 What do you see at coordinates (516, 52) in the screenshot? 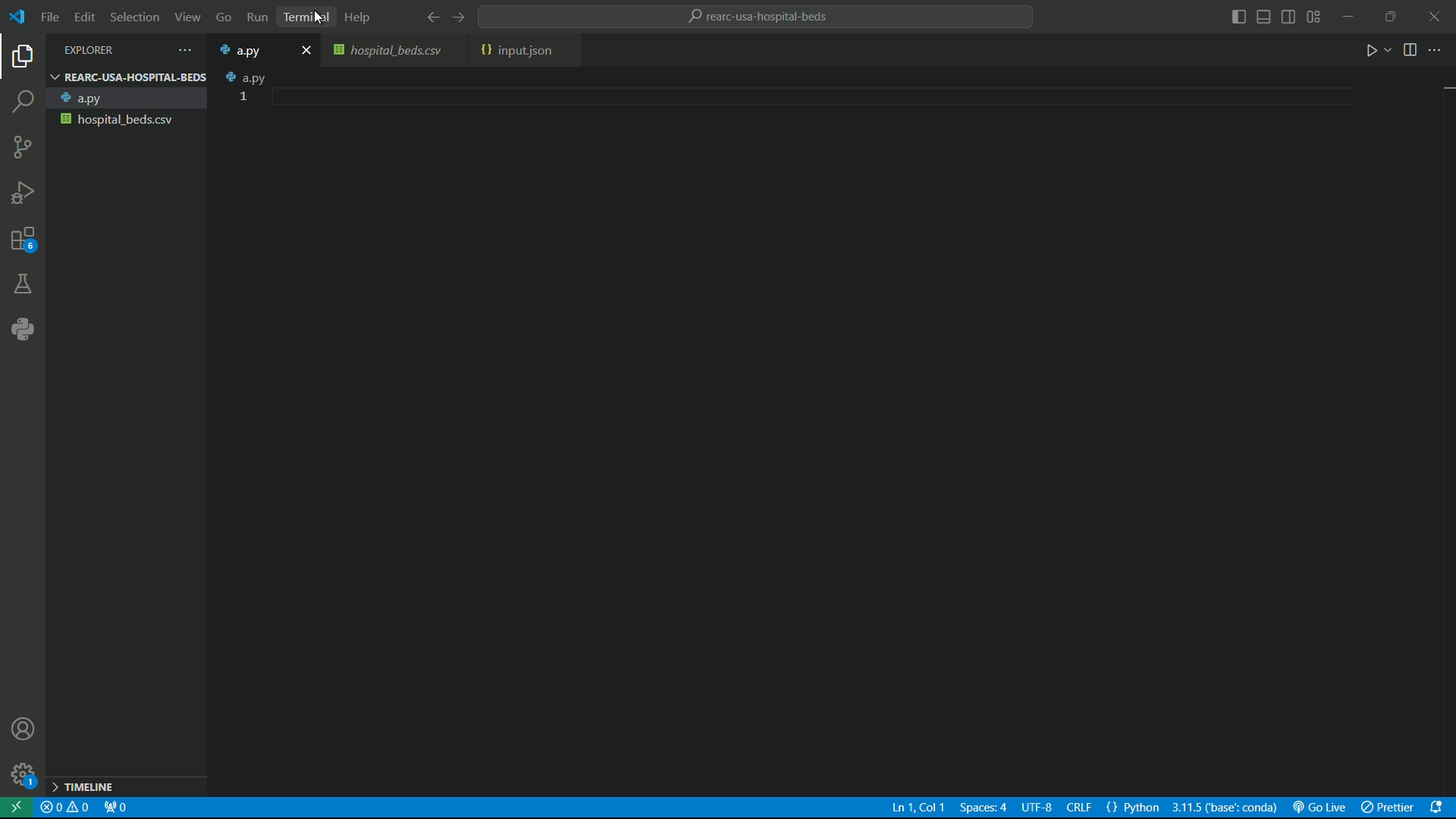
I see `input.json` at bounding box center [516, 52].